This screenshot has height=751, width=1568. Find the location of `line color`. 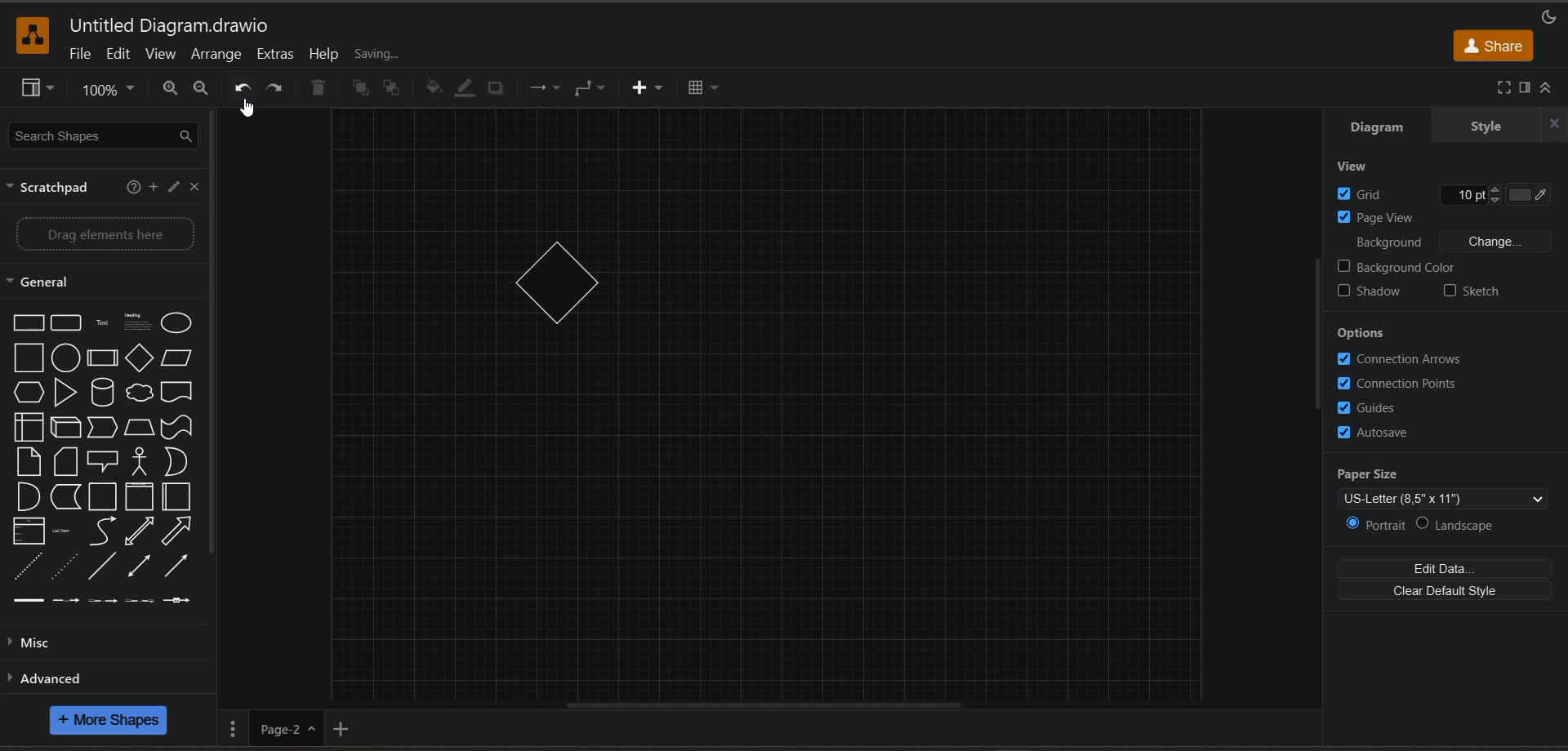

line color is located at coordinates (464, 90).